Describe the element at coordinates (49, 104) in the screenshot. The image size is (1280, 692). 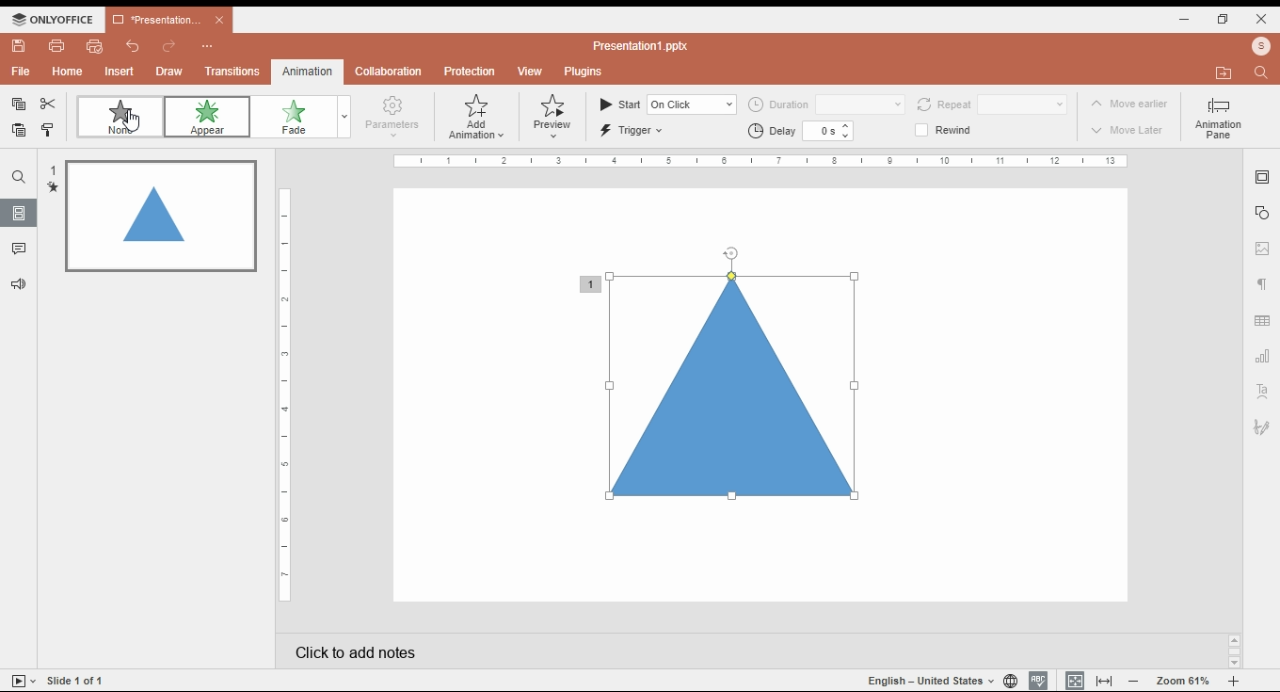
I see `cut` at that location.